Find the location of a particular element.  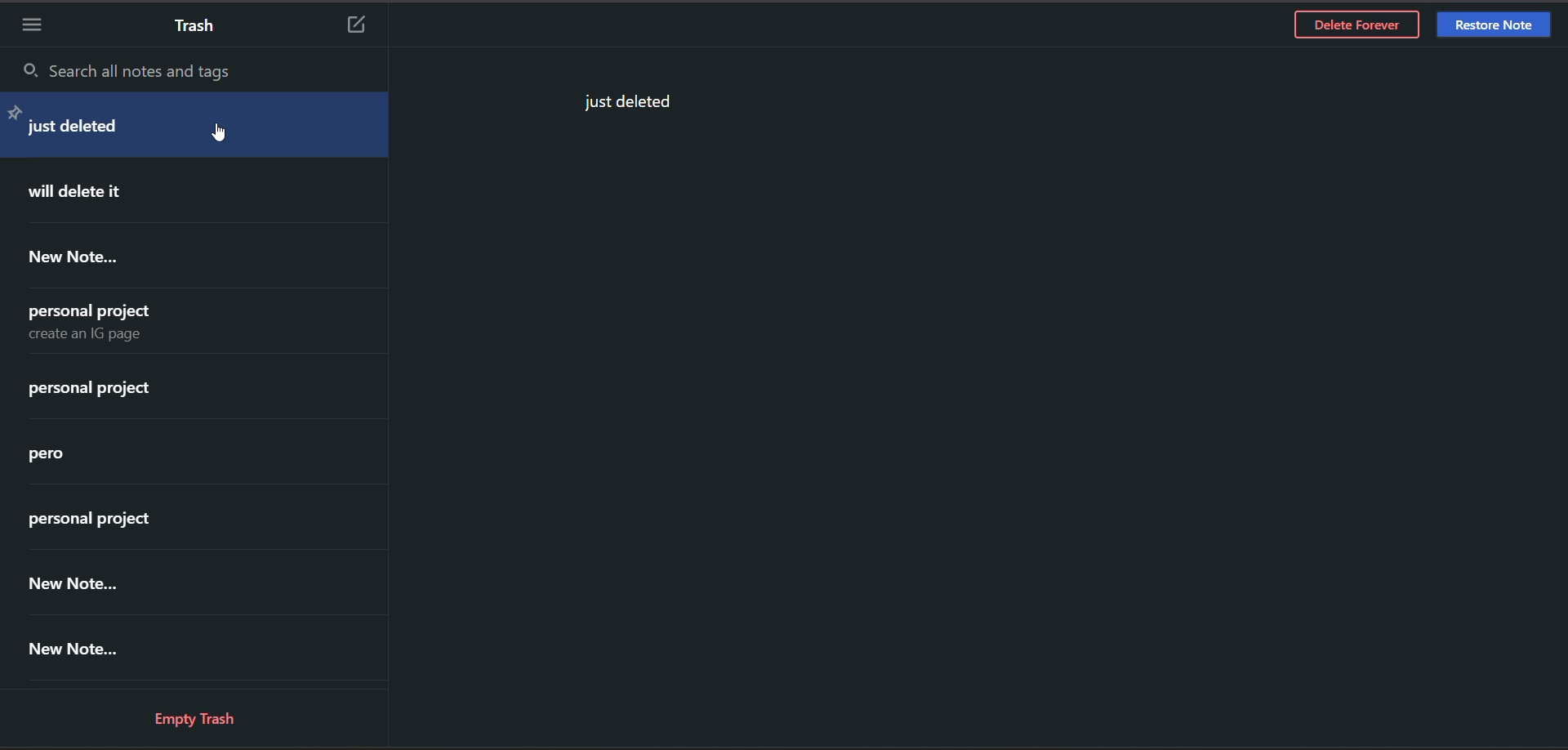

deleted note title 1 is located at coordinates (176, 127).